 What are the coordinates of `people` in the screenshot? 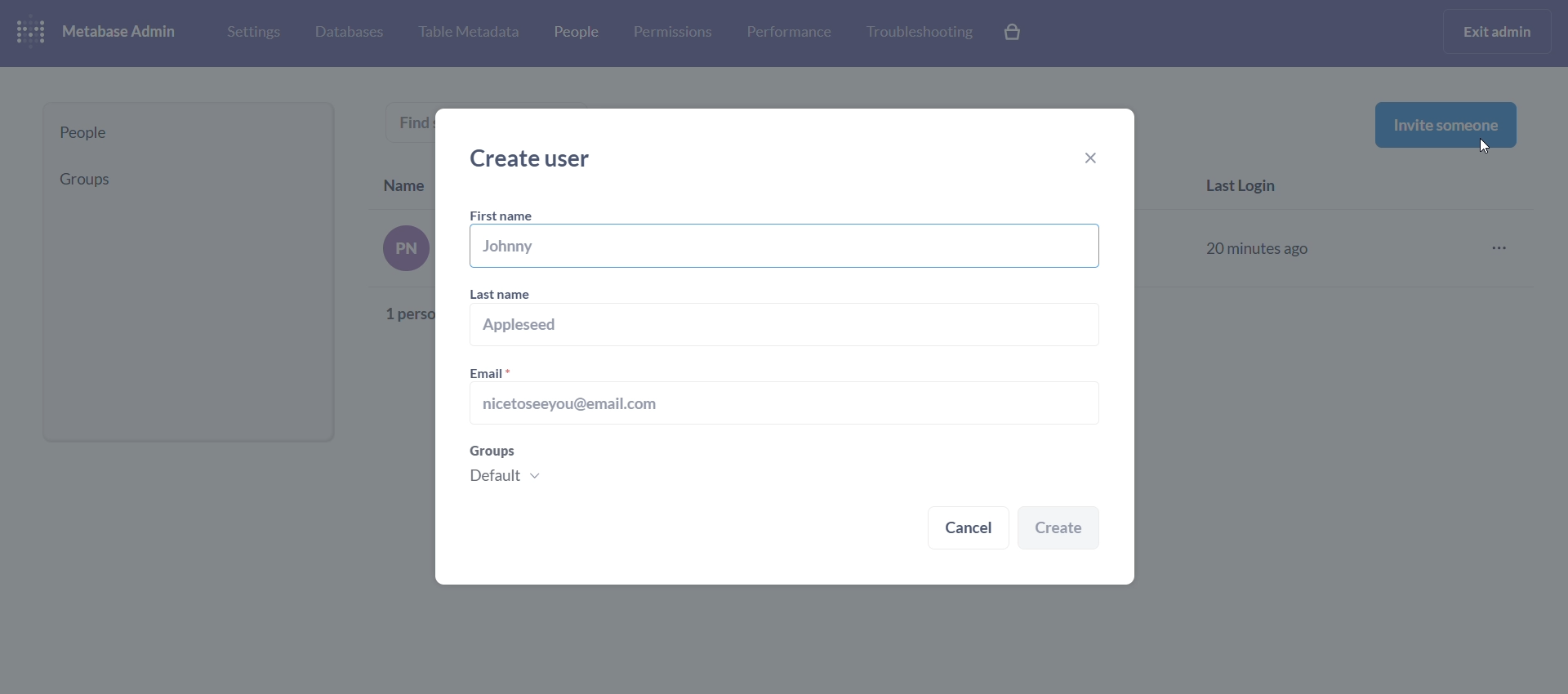 It's located at (189, 133).